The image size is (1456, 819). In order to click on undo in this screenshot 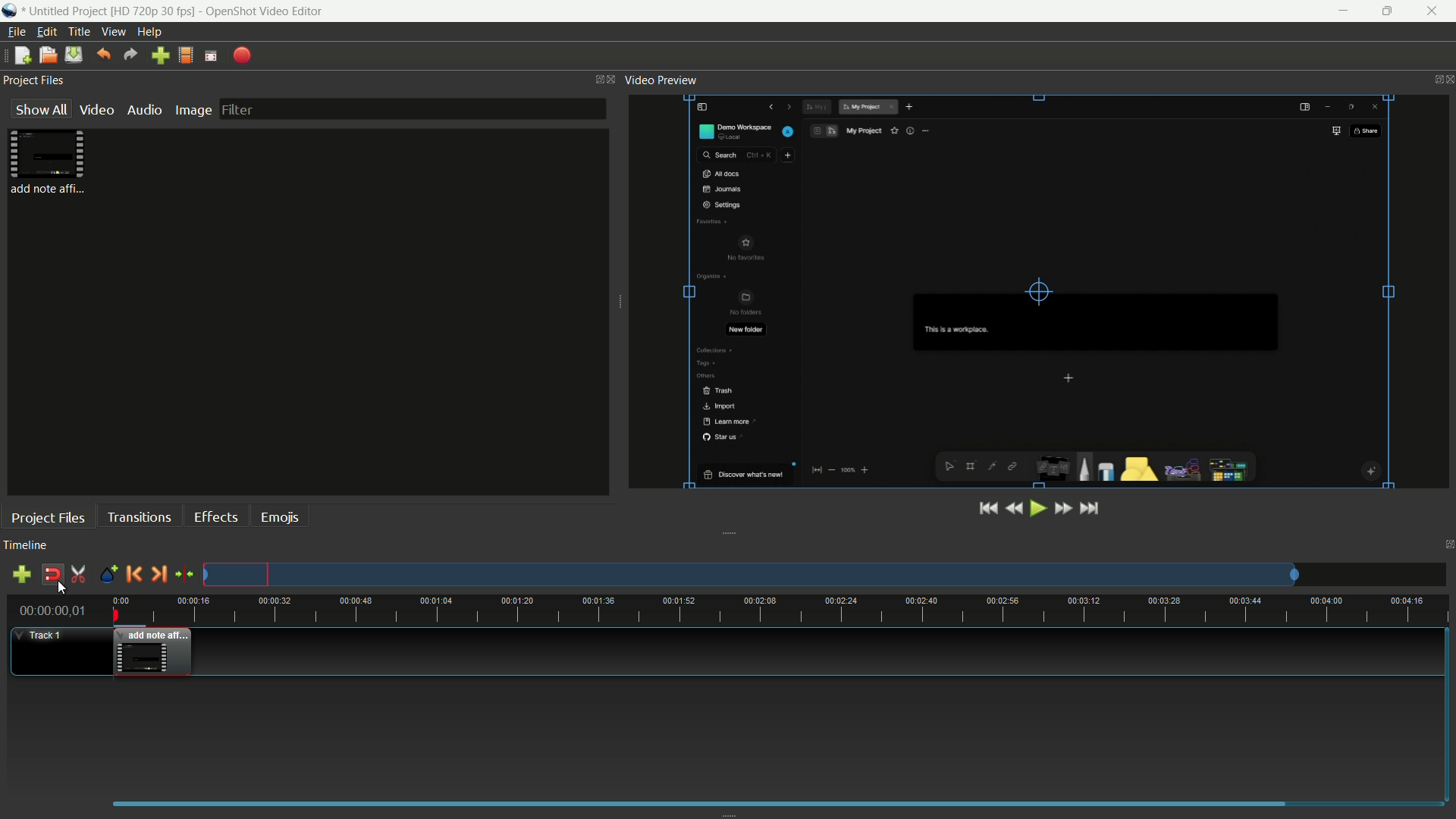, I will do `click(102, 56)`.